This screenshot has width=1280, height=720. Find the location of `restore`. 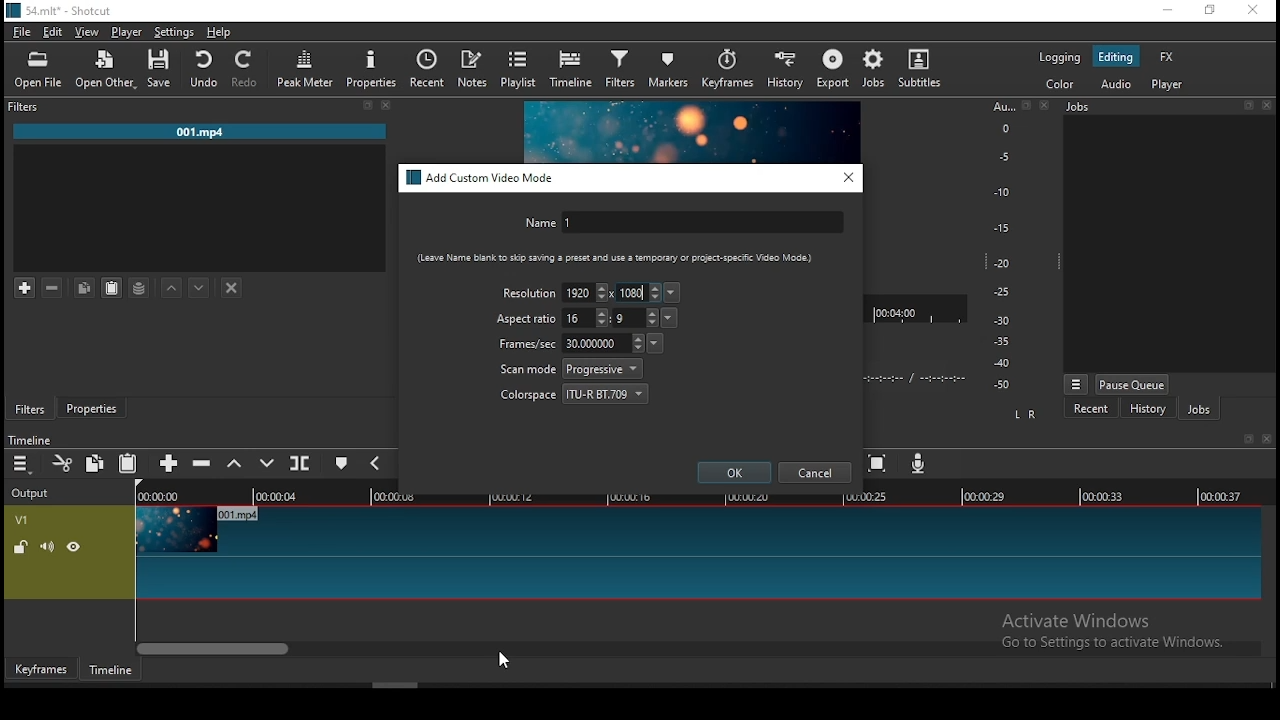

restore is located at coordinates (1208, 11).